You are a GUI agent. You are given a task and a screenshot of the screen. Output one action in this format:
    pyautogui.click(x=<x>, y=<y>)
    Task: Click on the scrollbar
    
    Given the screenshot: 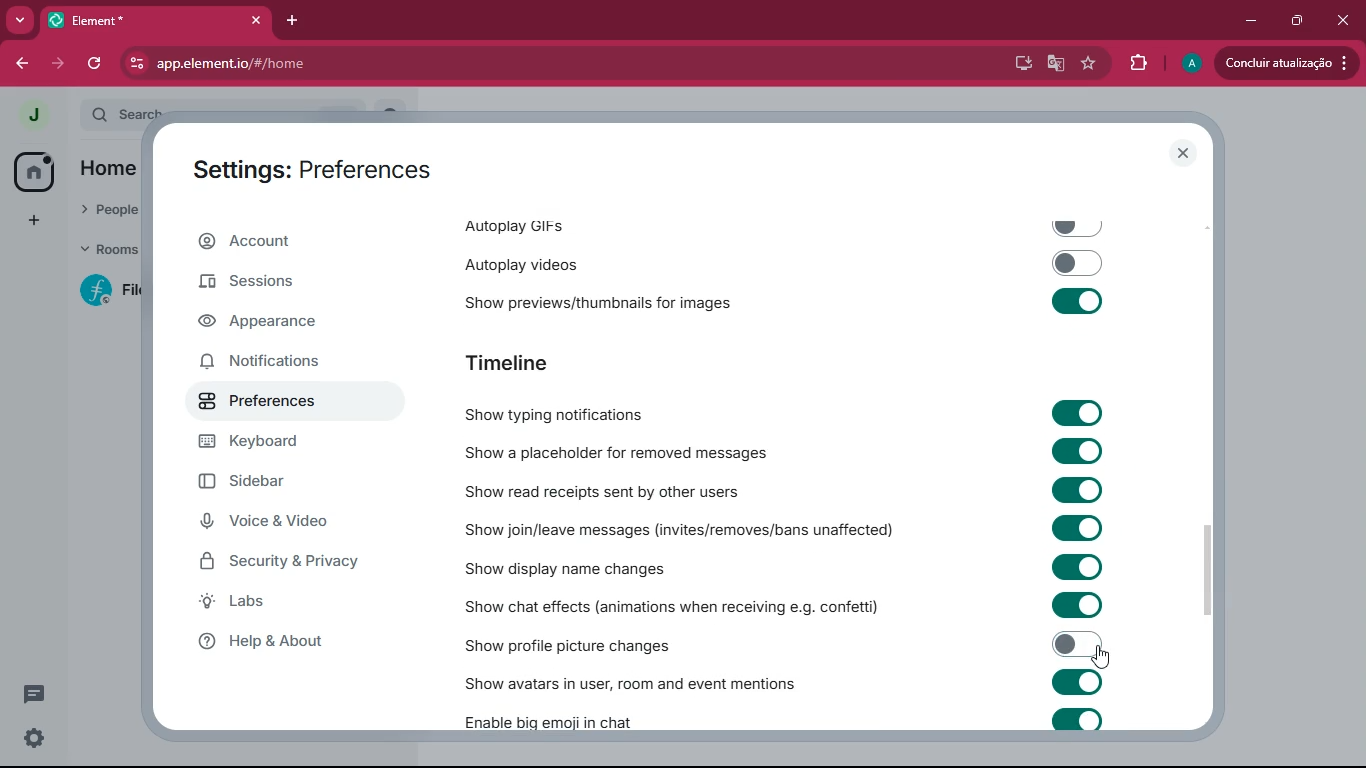 What is the action you would take?
    pyautogui.click(x=1208, y=570)
    